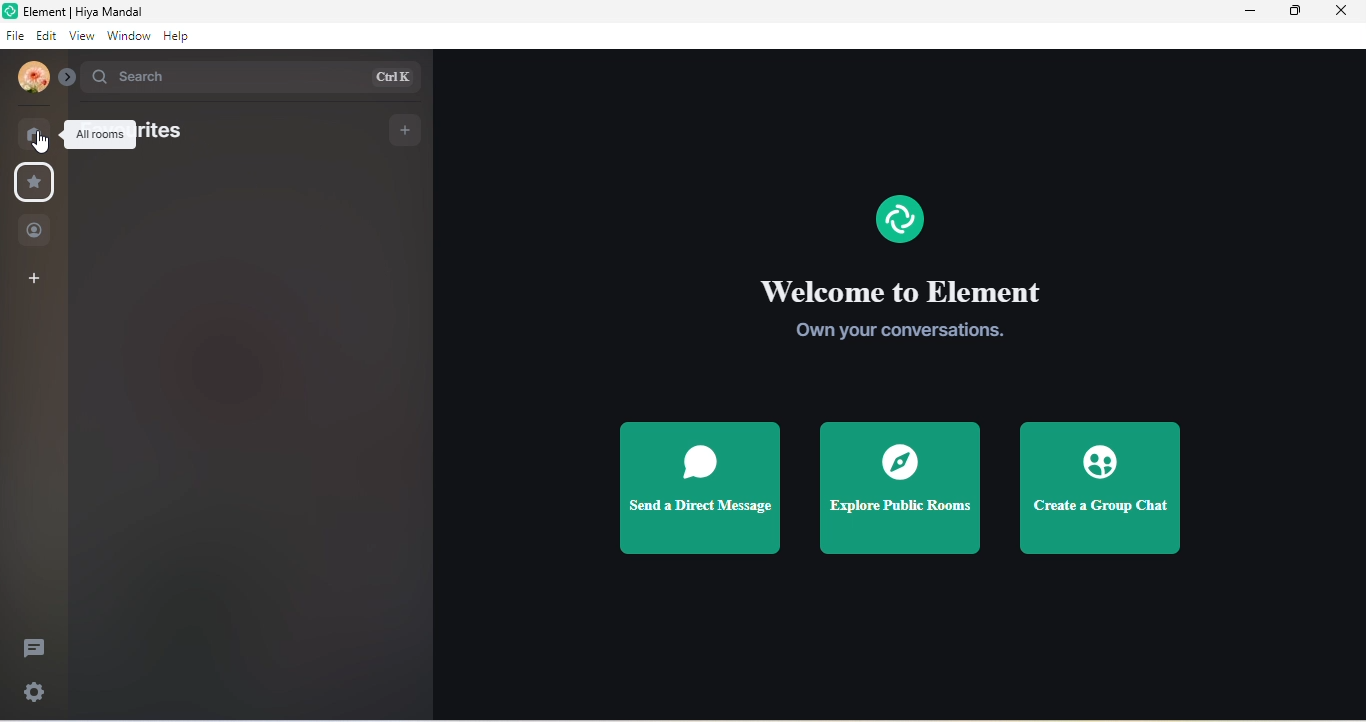 This screenshot has width=1366, height=722. What do you see at coordinates (253, 78) in the screenshot?
I see `search bar ` at bounding box center [253, 78].